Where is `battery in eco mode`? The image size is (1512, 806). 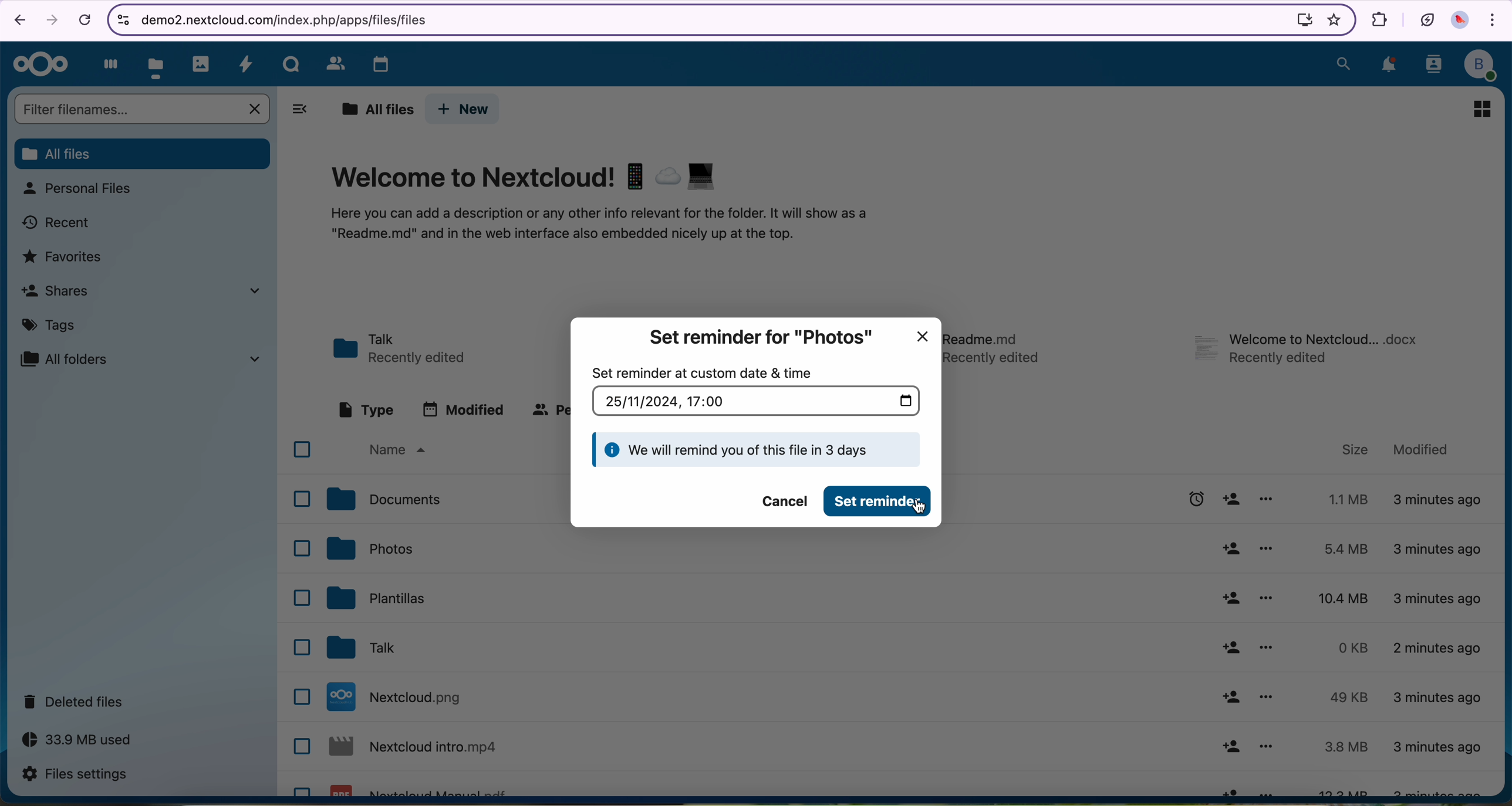
battery in eco mode is located at coordinates (1426, 18).